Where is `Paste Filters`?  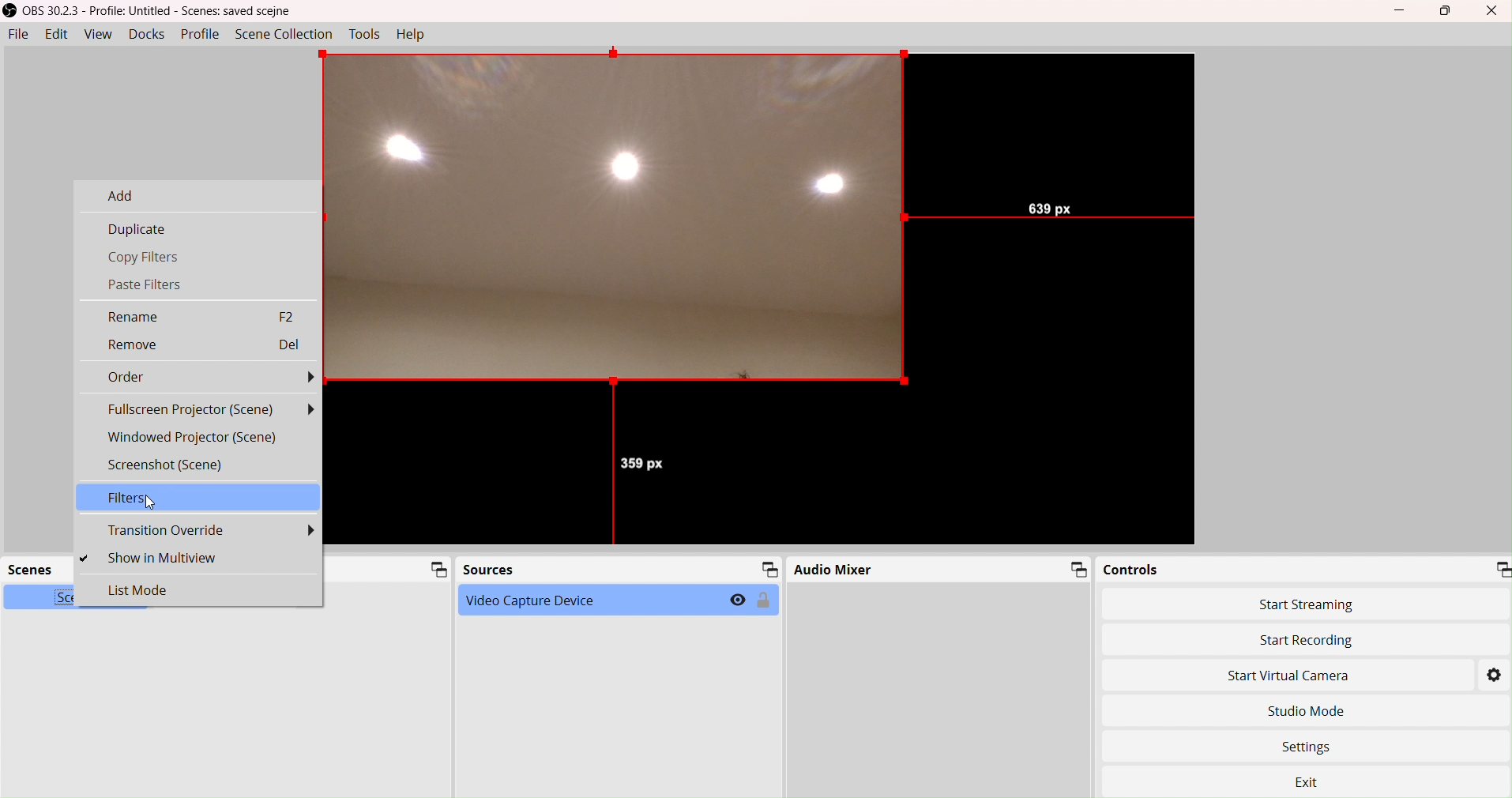
Paste Filters is located at coordinates (137, 284).